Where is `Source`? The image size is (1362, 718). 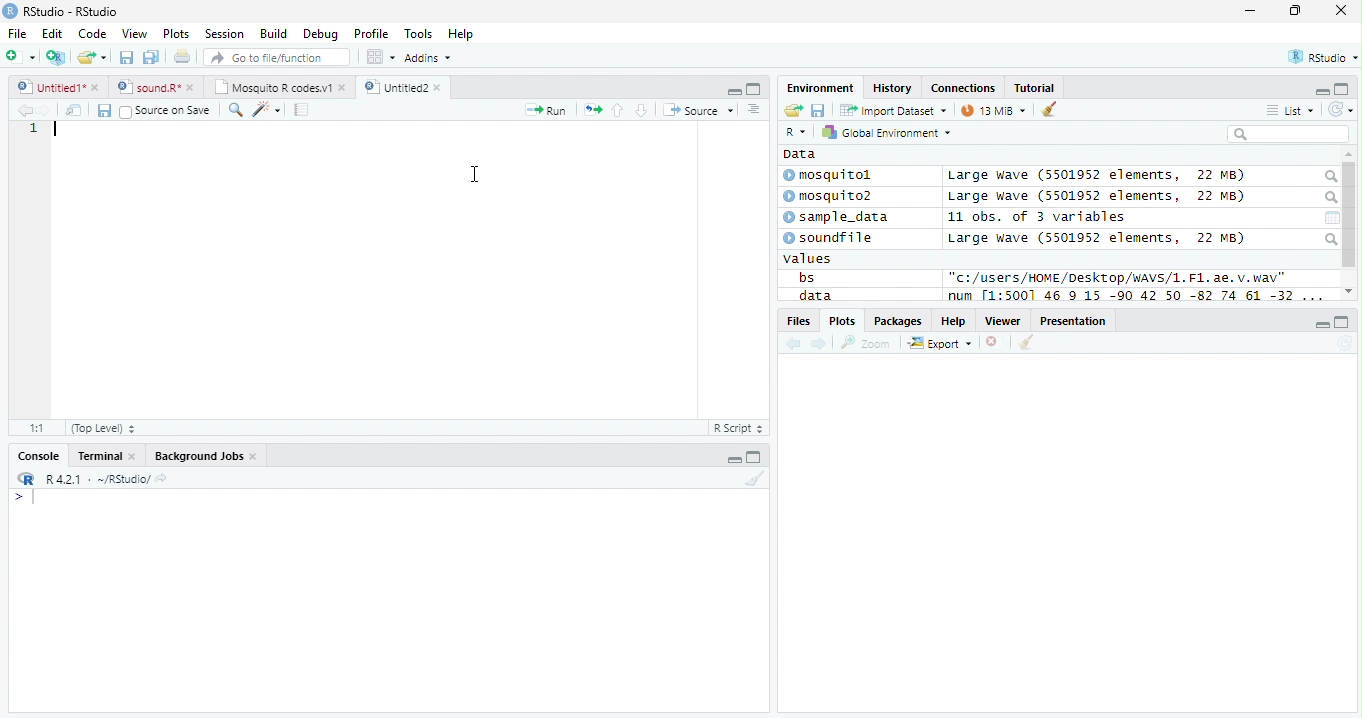
Source is located at coordinates (700, 109).